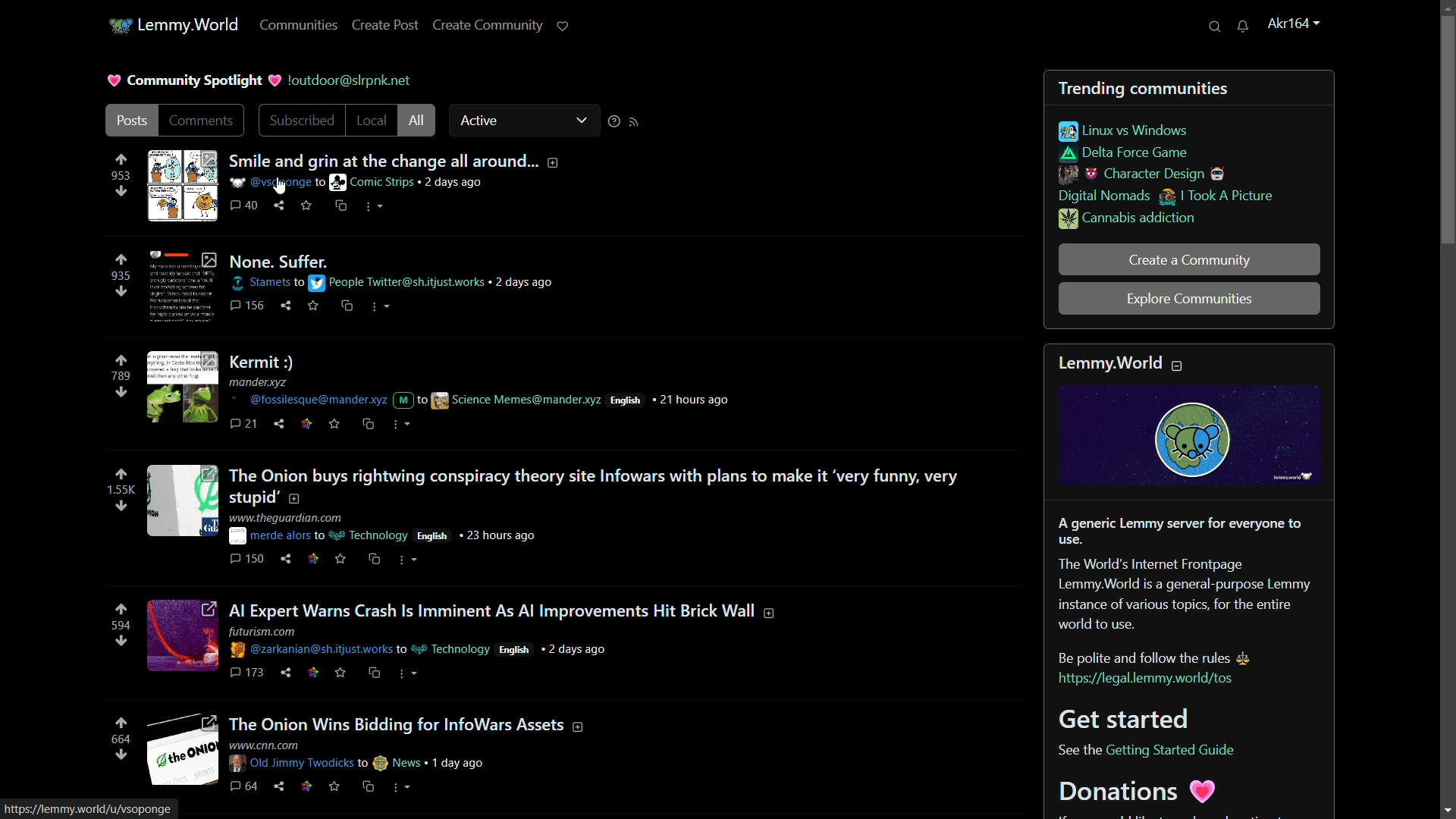 The height and width of the screenshot is (819, 1456). I want to click on save, so click(334, 424).